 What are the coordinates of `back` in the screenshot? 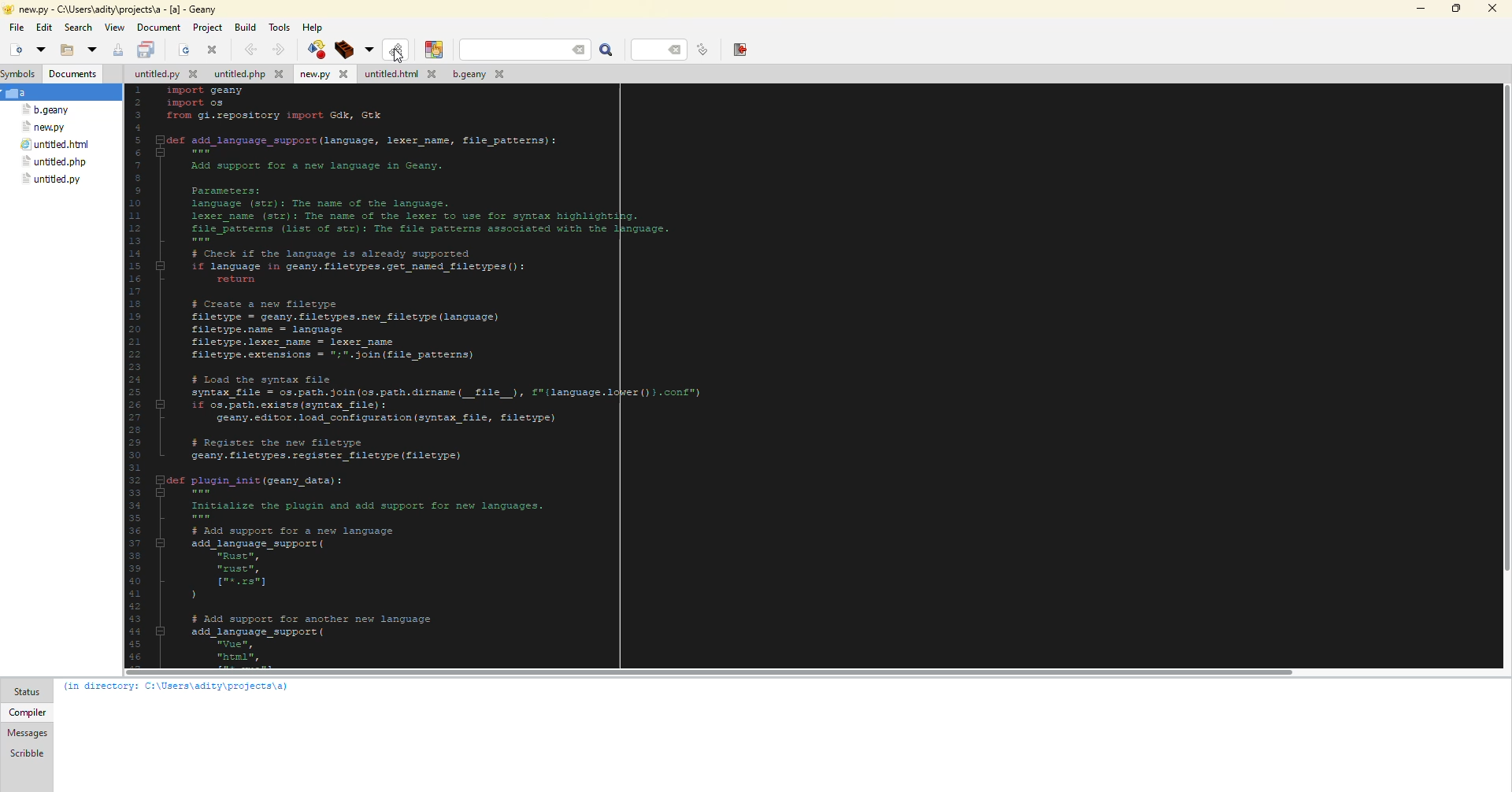 It's located at (251, 49).